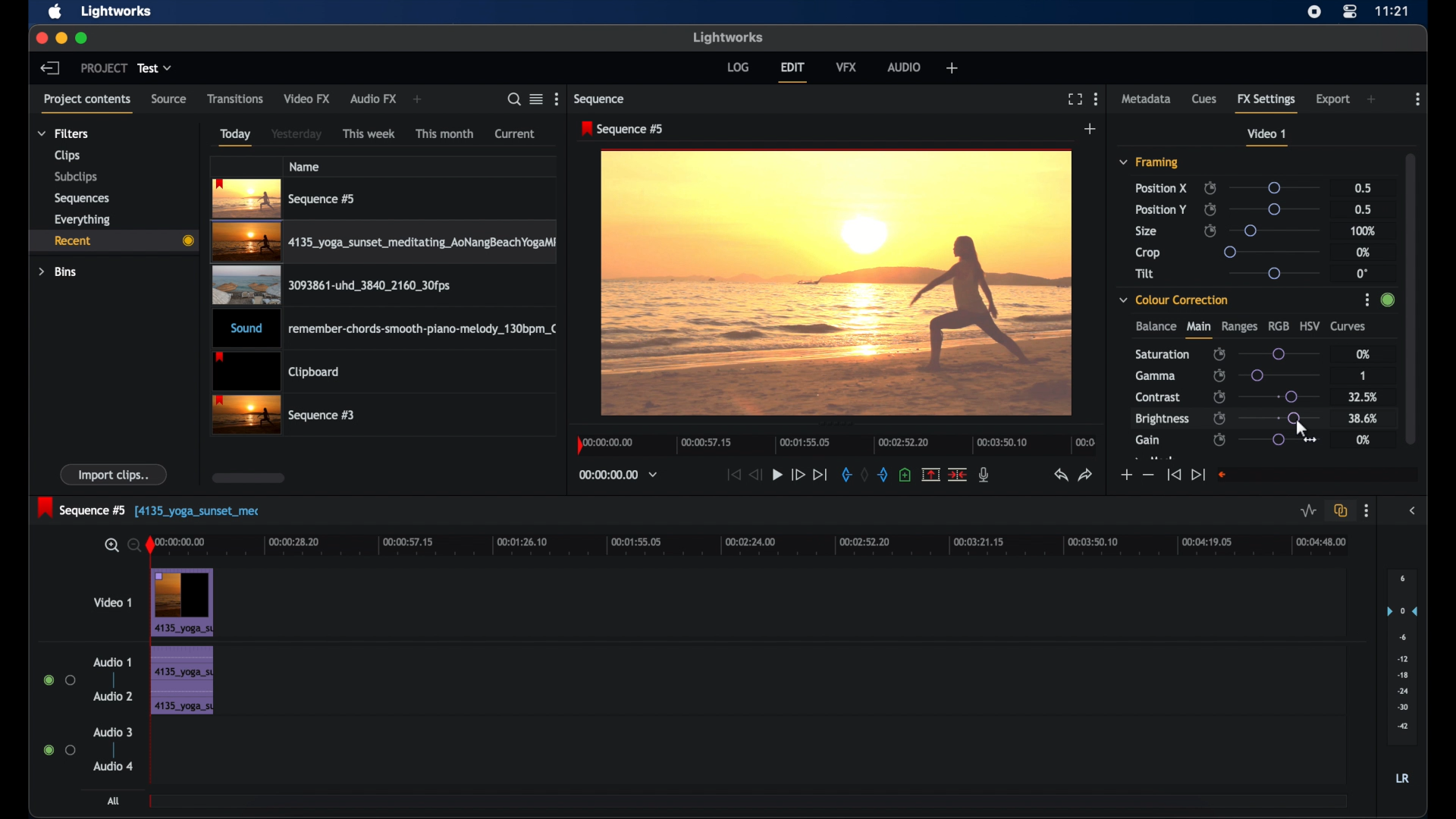  What do you see at coordinates (111, 662) in the screenshot?
I see `audio 1` at bounding box center [111, 662].